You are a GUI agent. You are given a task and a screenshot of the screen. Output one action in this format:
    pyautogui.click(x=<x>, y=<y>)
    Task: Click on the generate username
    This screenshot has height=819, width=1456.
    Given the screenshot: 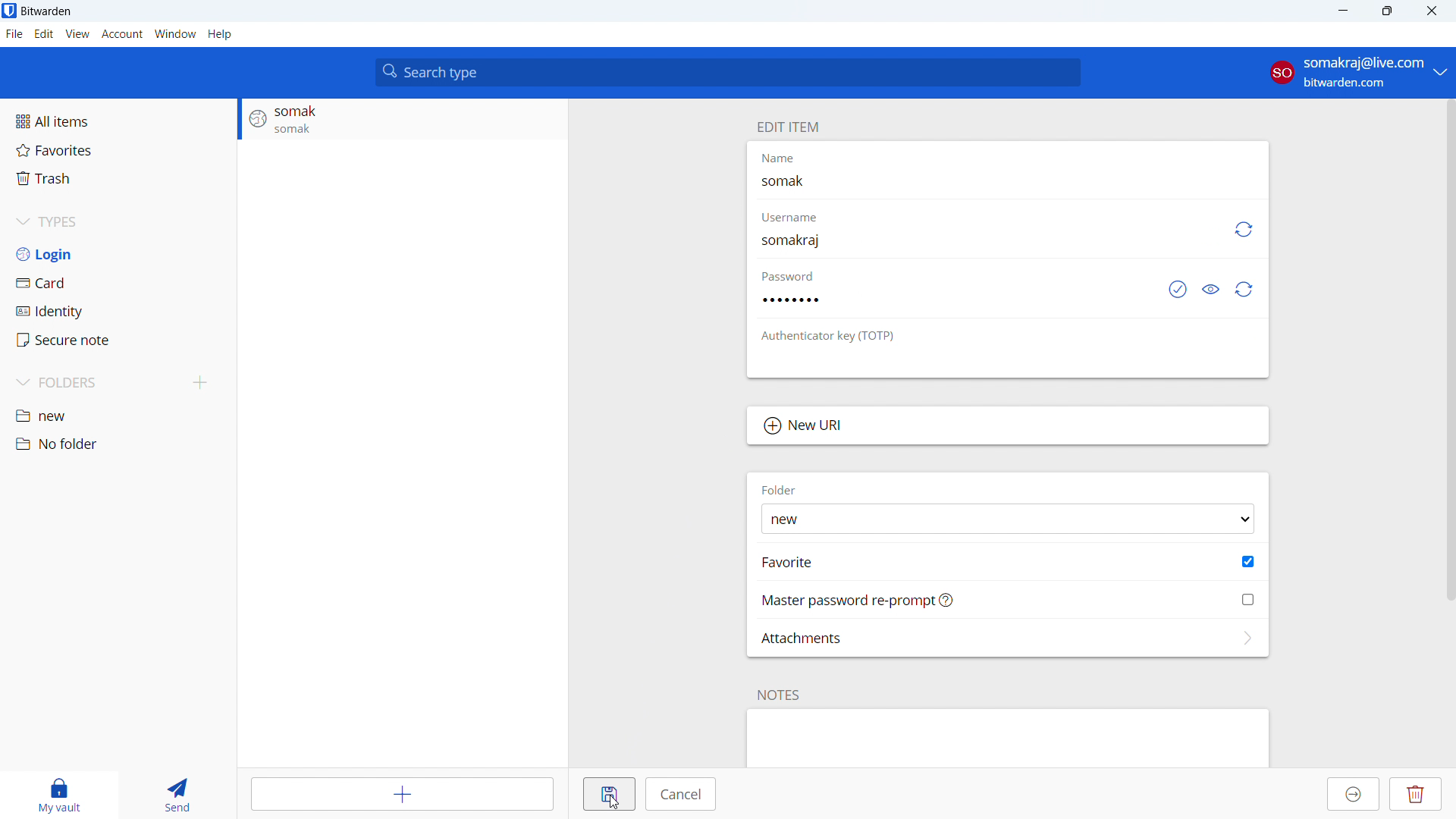 What is the action you would take?
    pyautogui.click(x=1242, y=230)
    